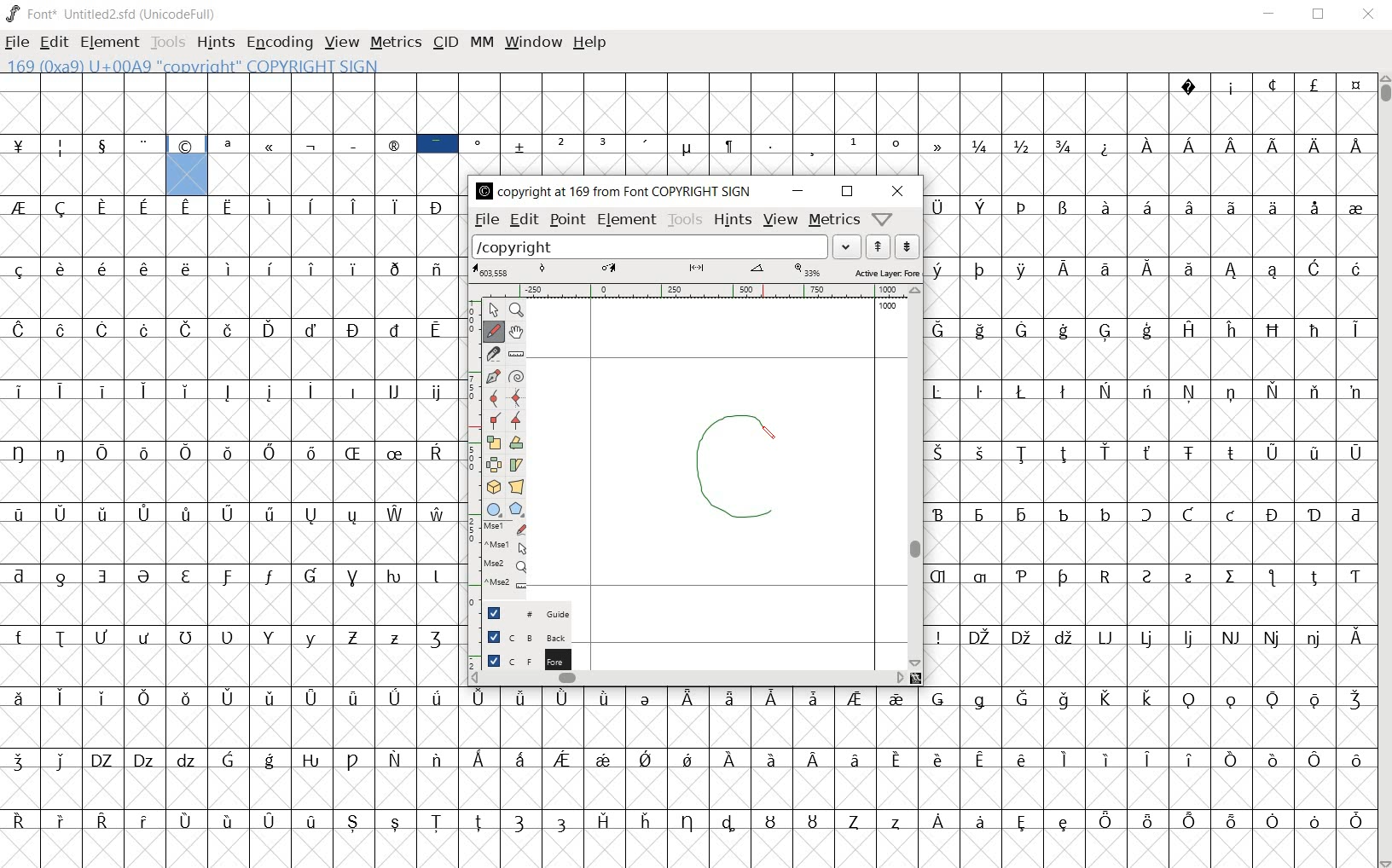  Describe the element at coordinates (521, 613) in the screenshot. I see `Guide` at that location.